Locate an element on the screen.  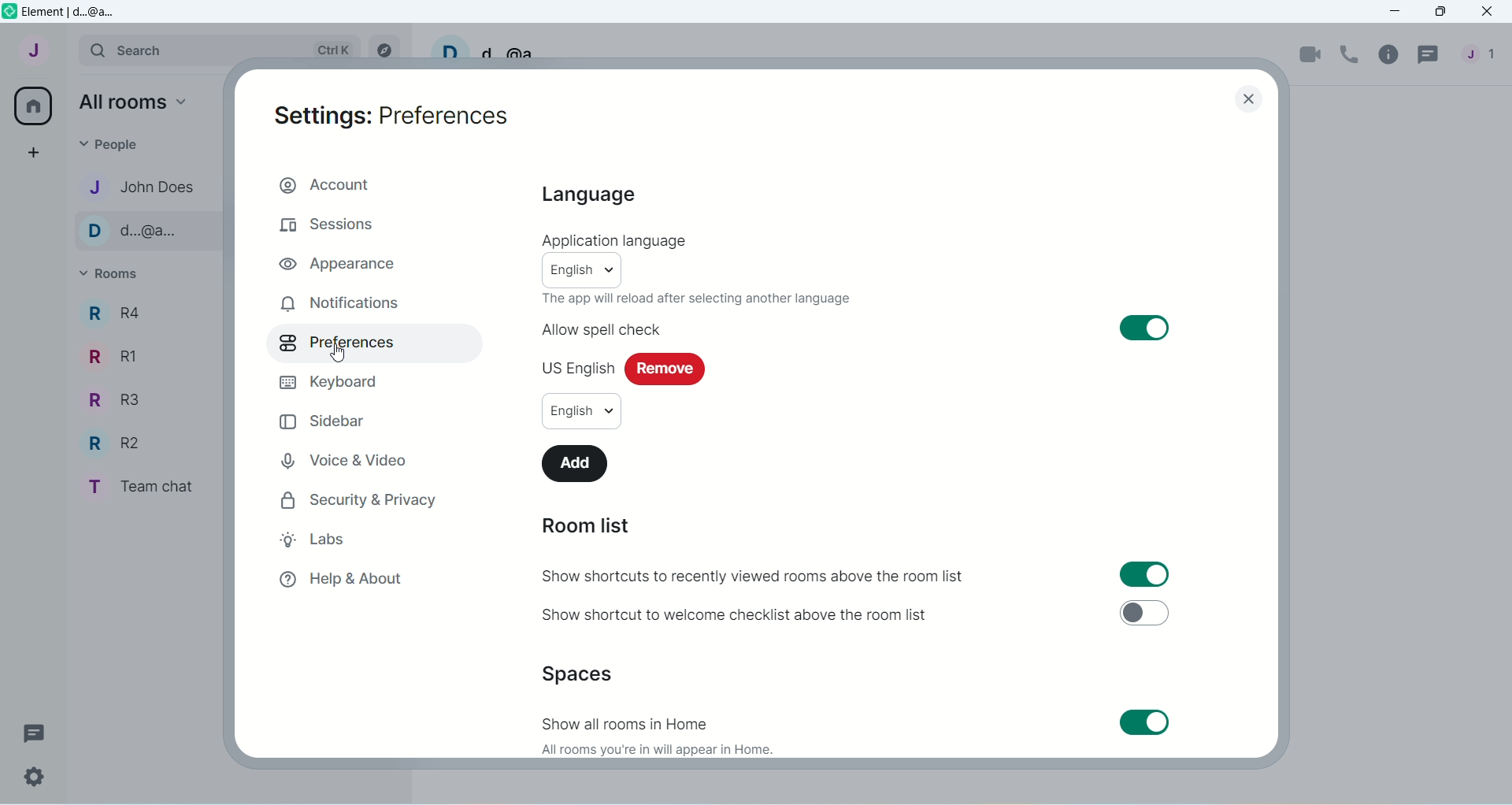
Minimize is located at coordinates (1397, 11).